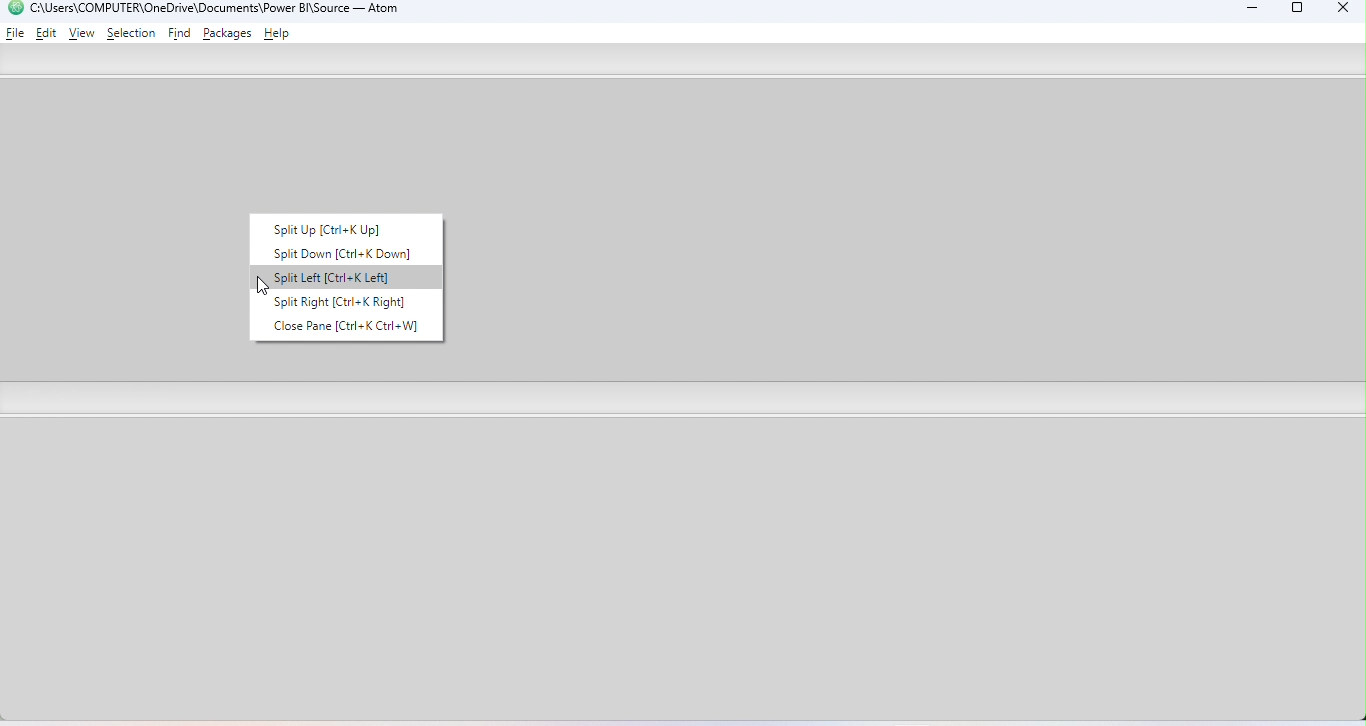  I want to click on Pane 2, so click(685, 573).